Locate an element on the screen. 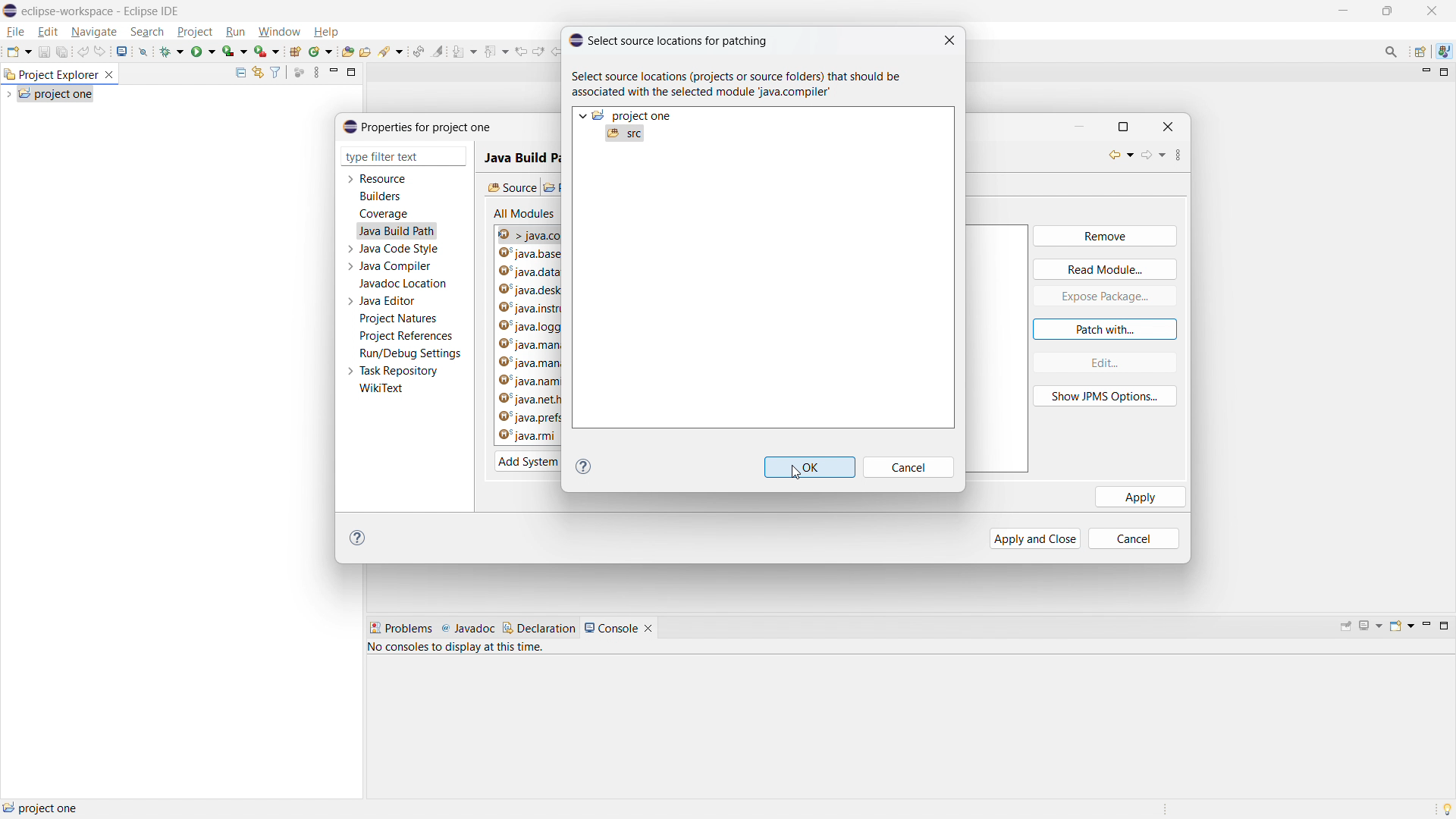 This screenshot has height=819, width=1456. open perspective is located at coordinates (1421, 52).